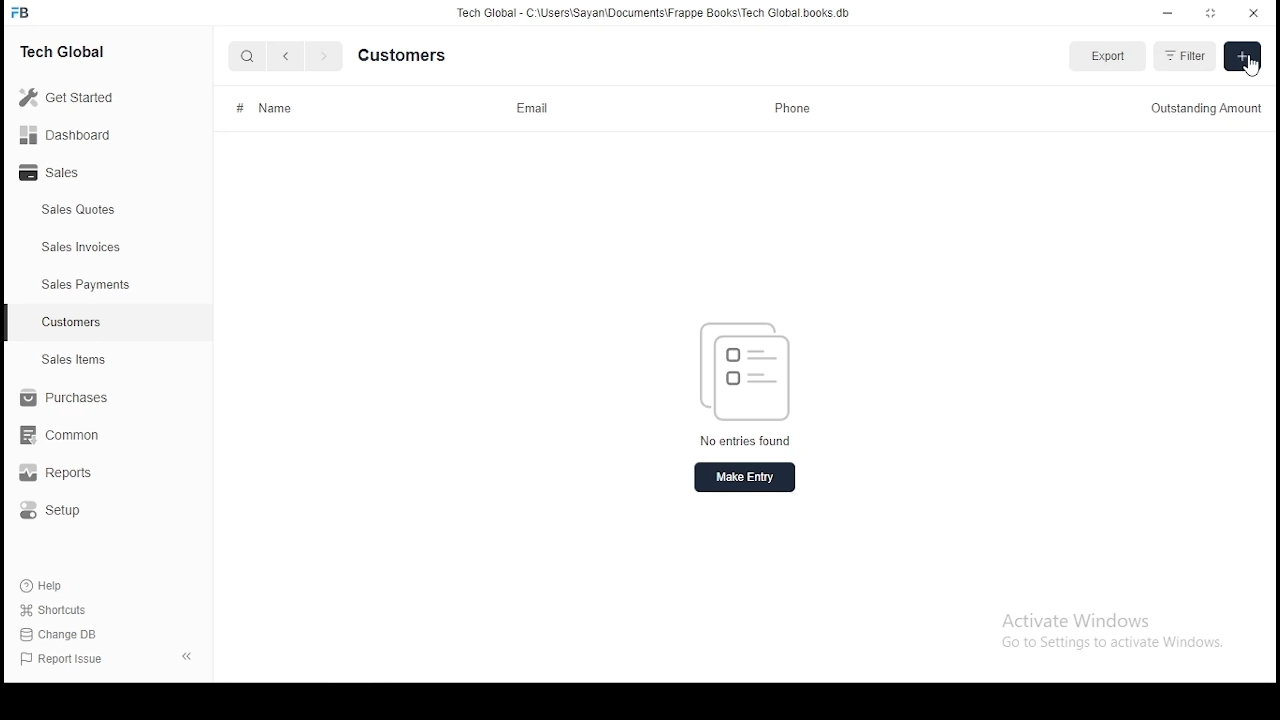  I want to click on customers, so click(72, 323).